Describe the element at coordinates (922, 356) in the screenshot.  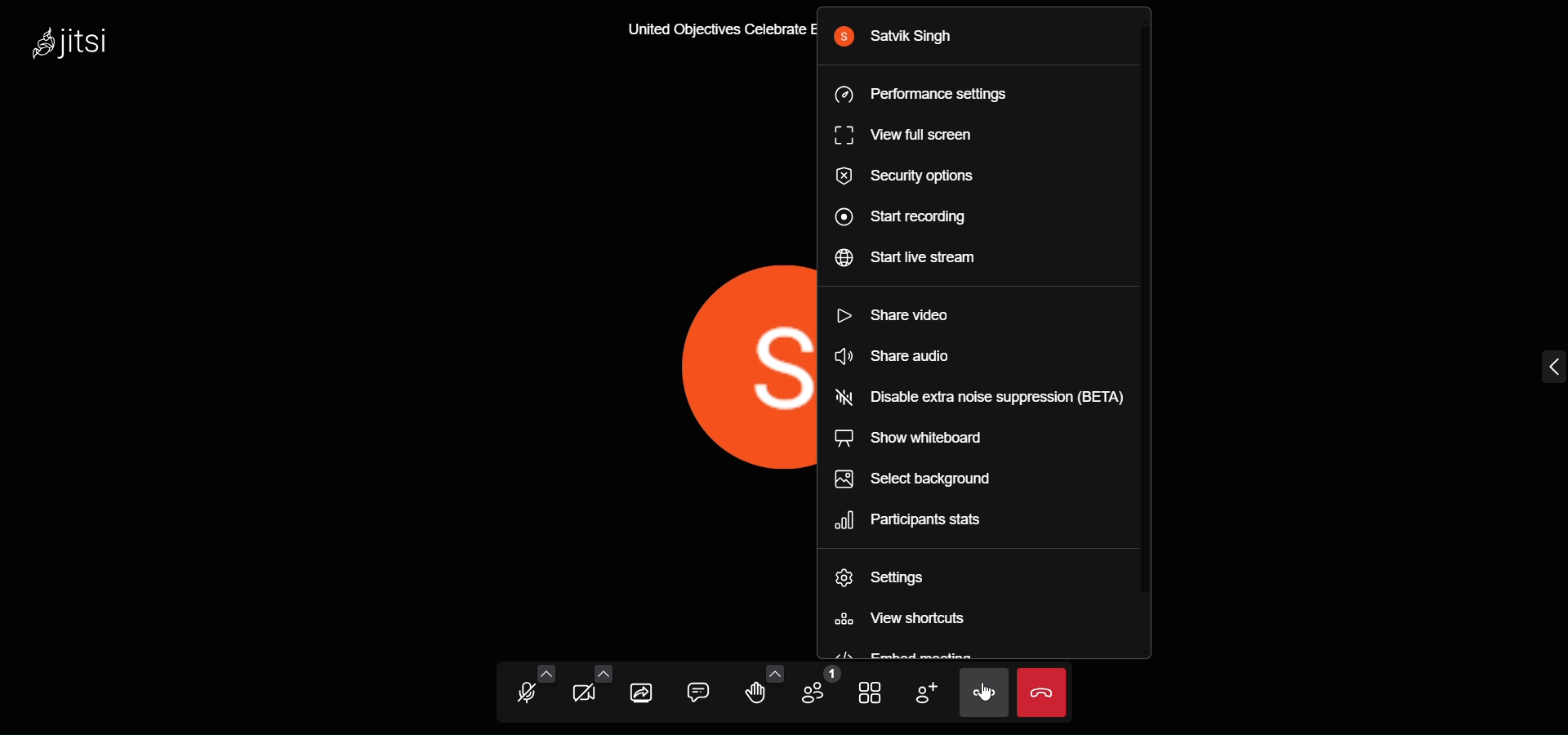
I see `share audio` at that location.